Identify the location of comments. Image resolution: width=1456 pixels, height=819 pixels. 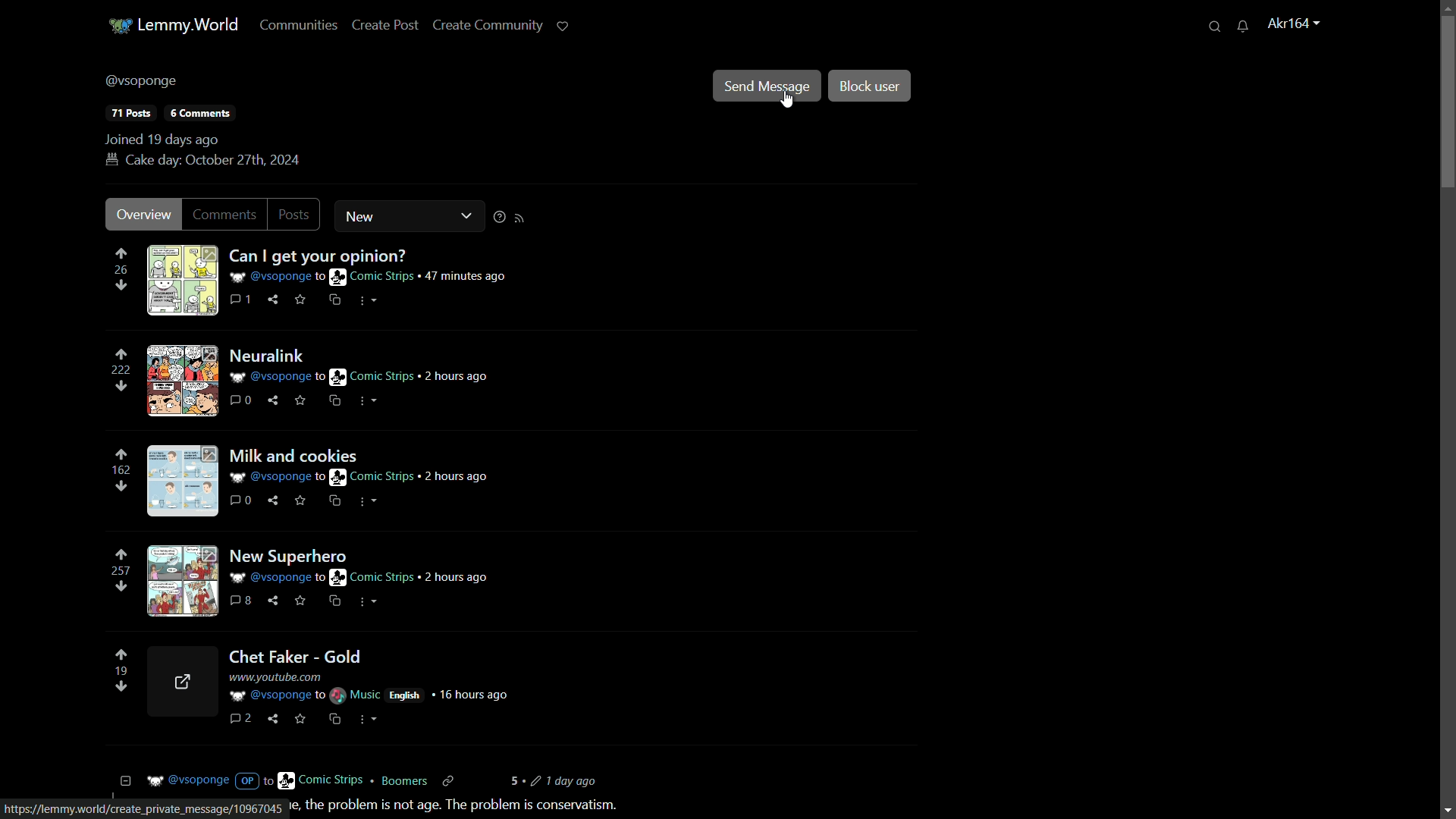
(229, 214).